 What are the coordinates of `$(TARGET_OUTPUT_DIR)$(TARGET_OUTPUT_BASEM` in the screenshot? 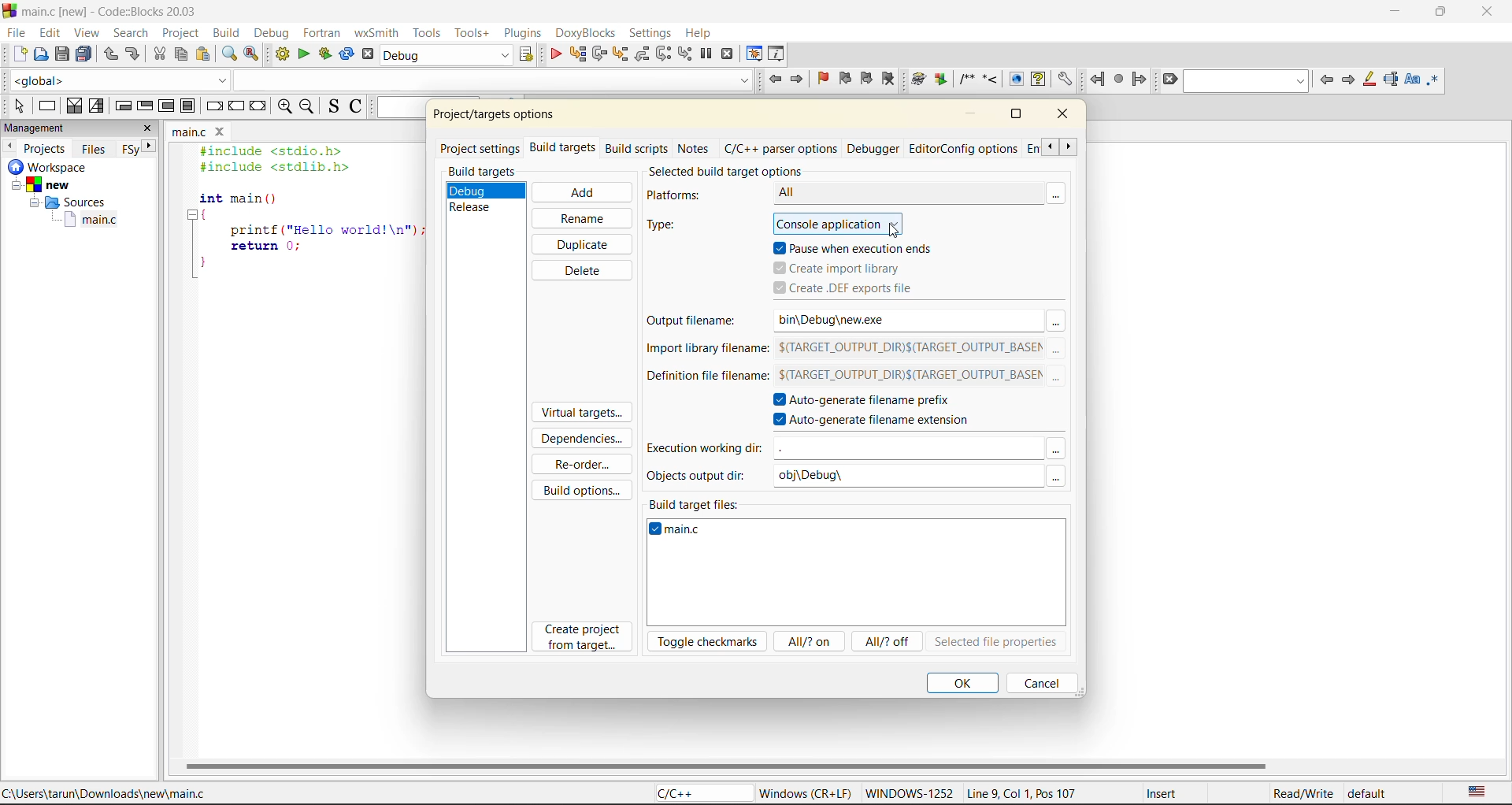 It's located at (922, 374).